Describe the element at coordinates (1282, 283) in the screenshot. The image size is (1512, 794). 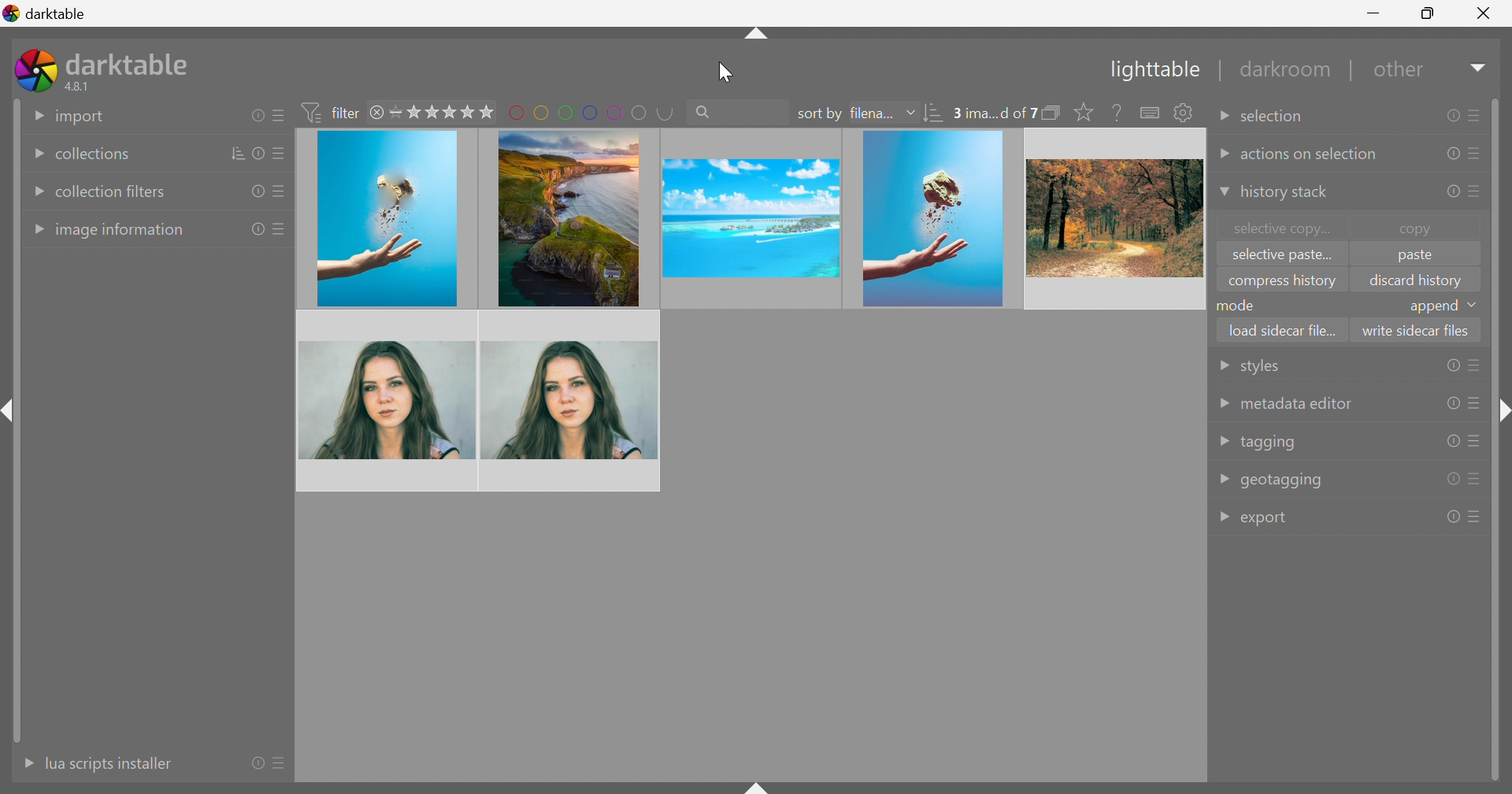
I see `compress history` at that location.